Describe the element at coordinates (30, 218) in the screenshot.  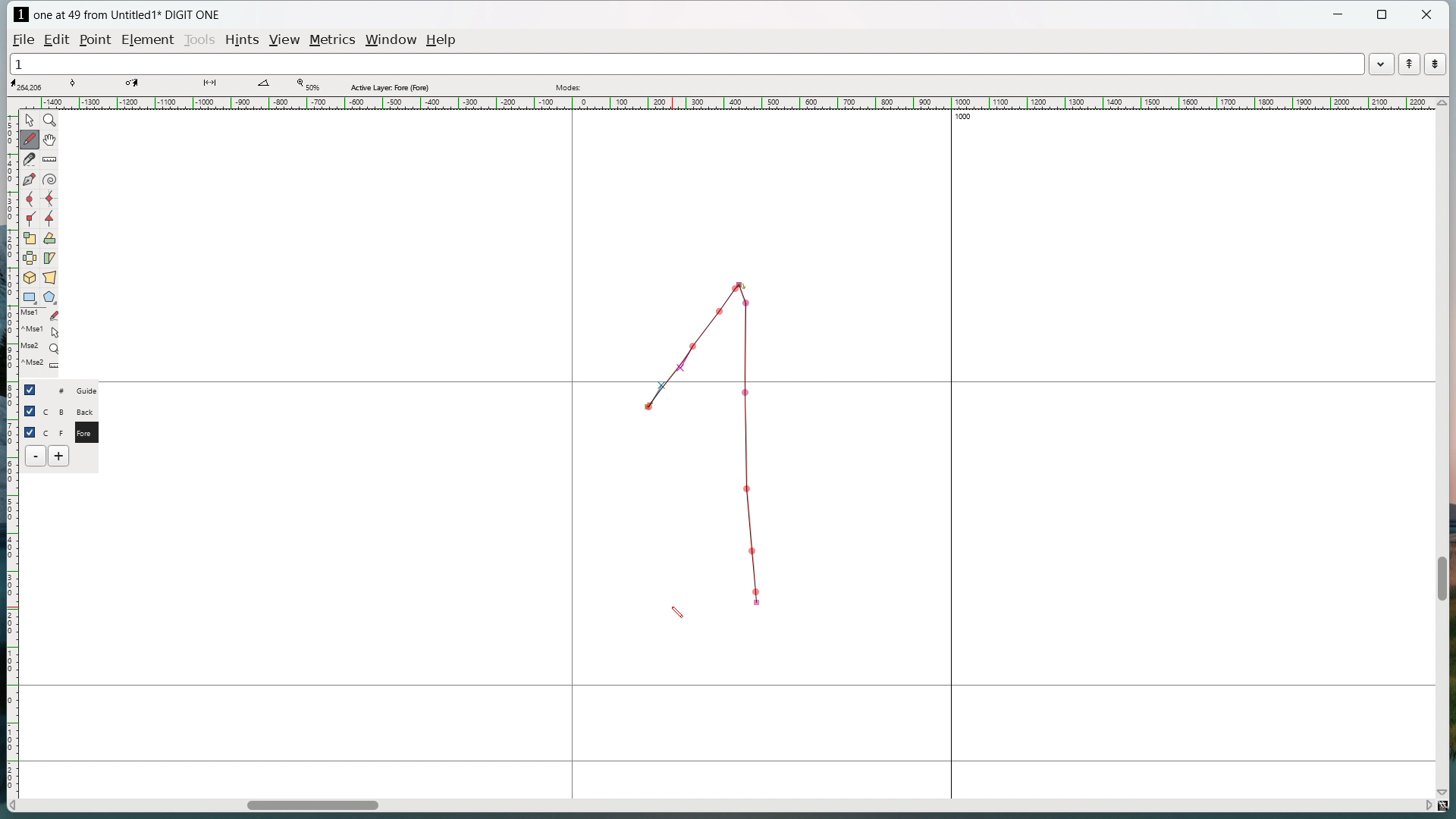
I see `add a corner point` at that location.